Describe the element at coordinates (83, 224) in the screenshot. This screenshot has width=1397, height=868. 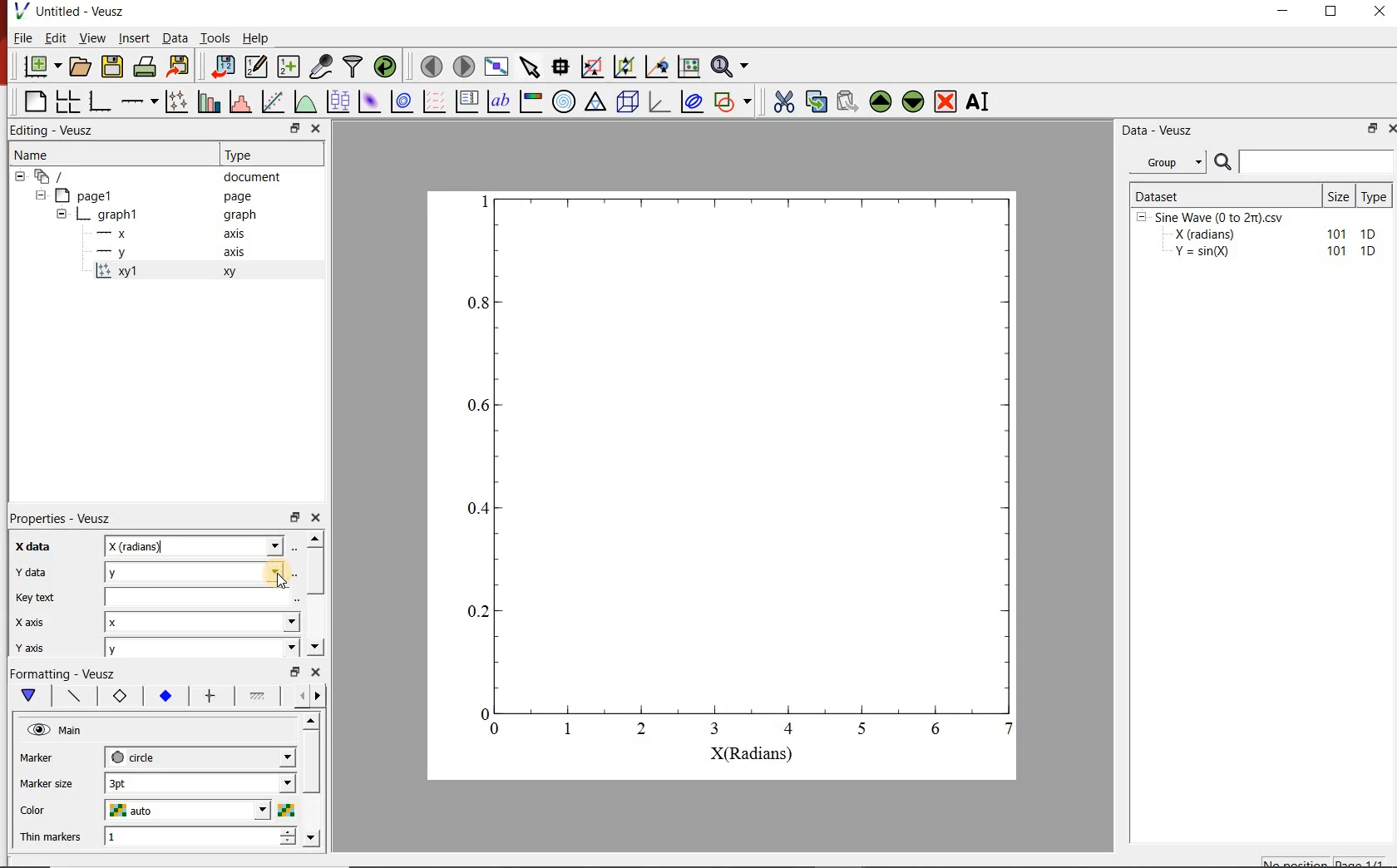
I see `Page 1 Graph 1` at that location.